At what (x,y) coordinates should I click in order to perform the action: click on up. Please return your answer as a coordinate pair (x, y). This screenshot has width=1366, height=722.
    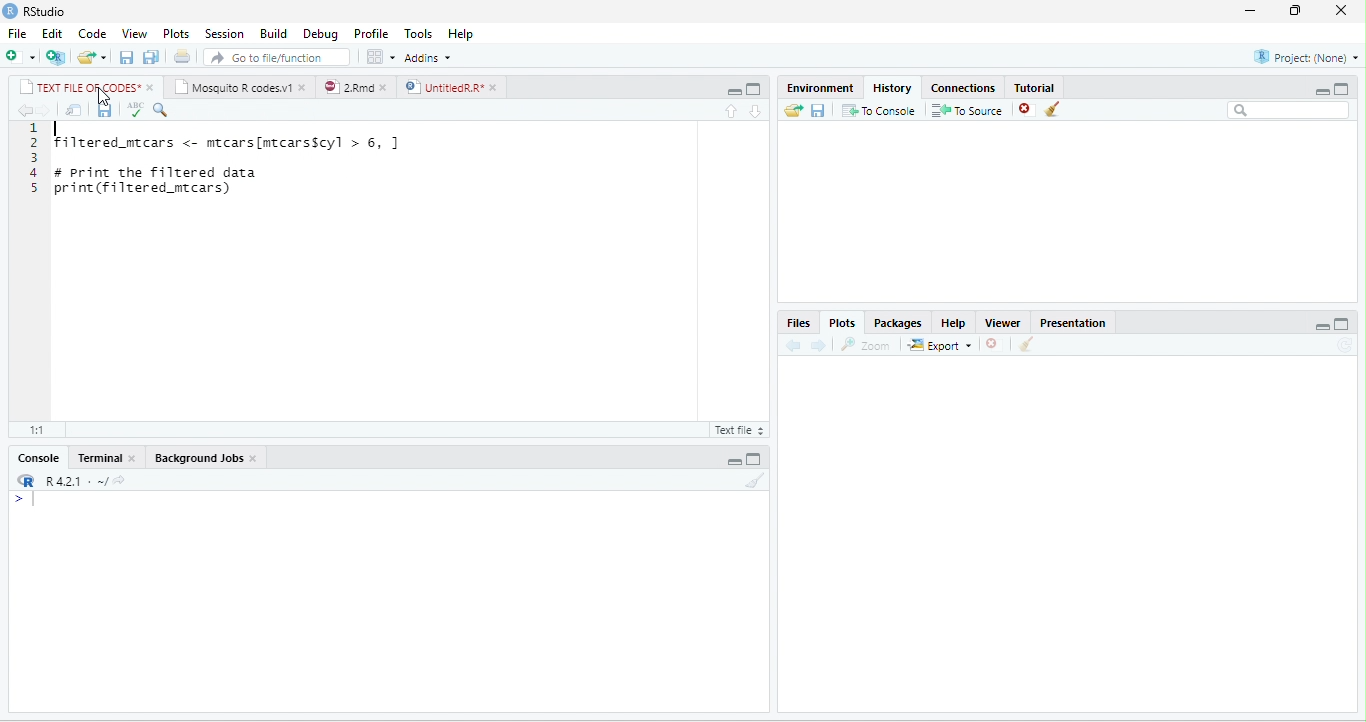
    Looking at the image, I should click on (731, 111).